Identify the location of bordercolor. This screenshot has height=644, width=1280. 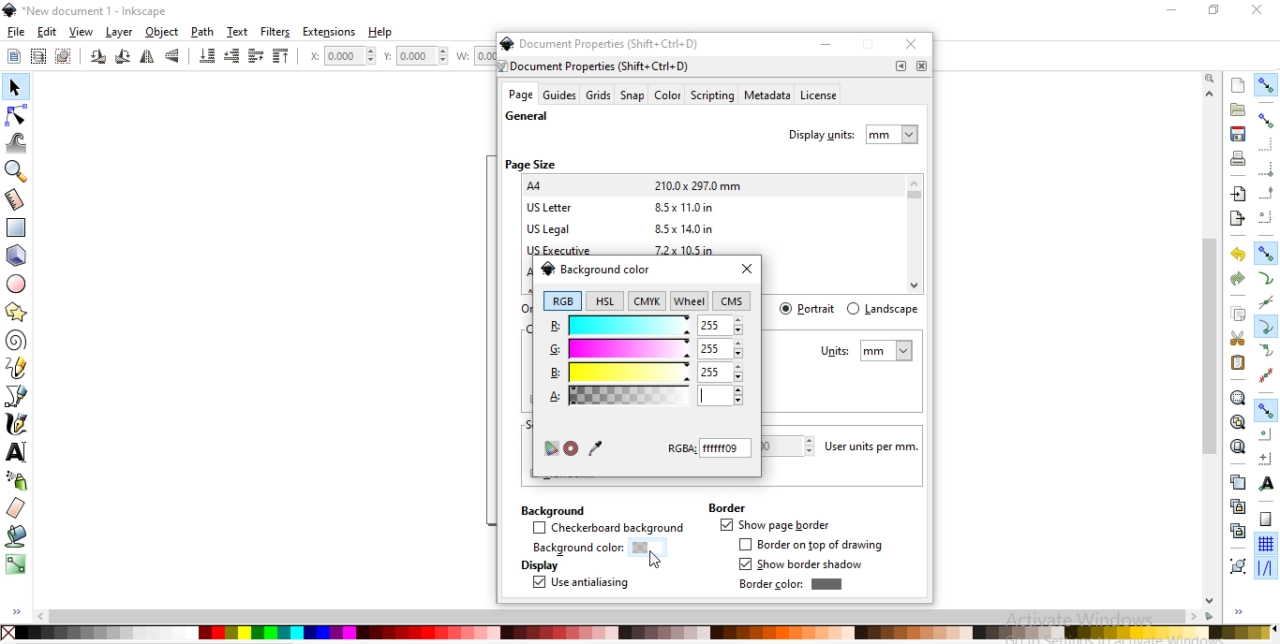
(790, 584).